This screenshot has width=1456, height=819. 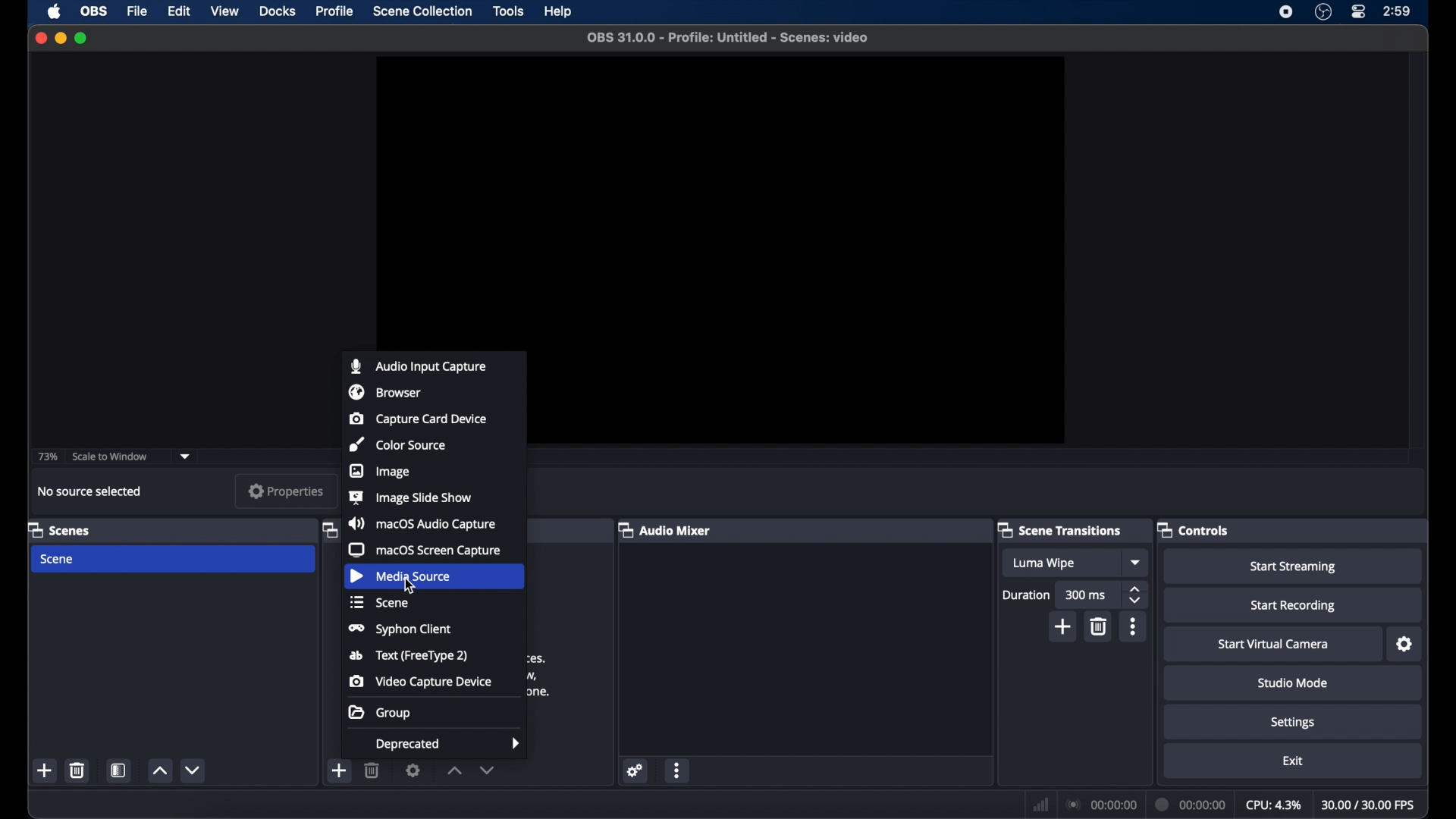 What do you see at coordinates (55, 11) in the screenshot?
I see `apple icon` at bounding box center [55, 11].